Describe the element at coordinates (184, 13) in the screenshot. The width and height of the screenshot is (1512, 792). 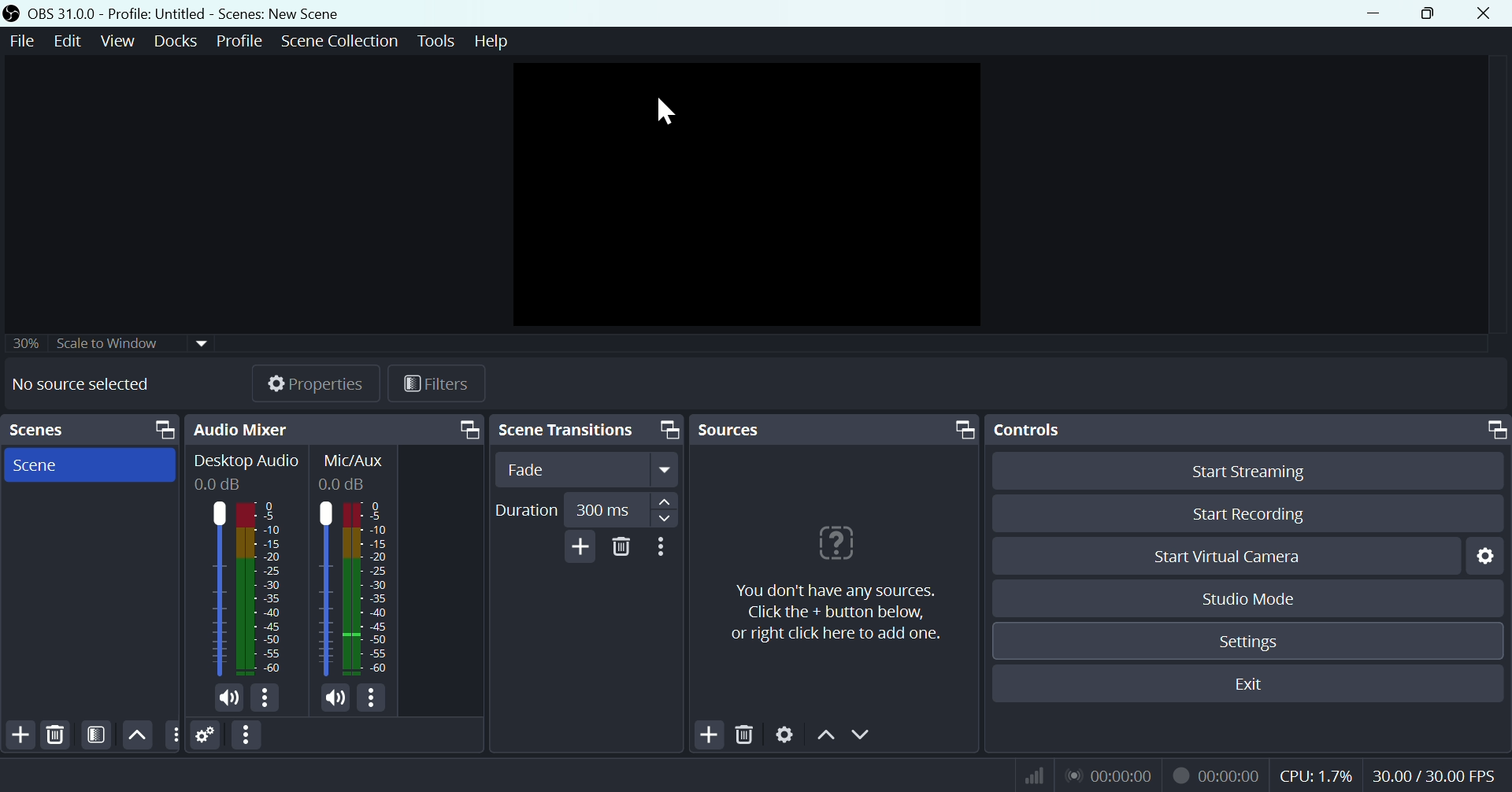
I see `OBS 31.0 .0 profile untitled - Scenes: new scene` at that location.